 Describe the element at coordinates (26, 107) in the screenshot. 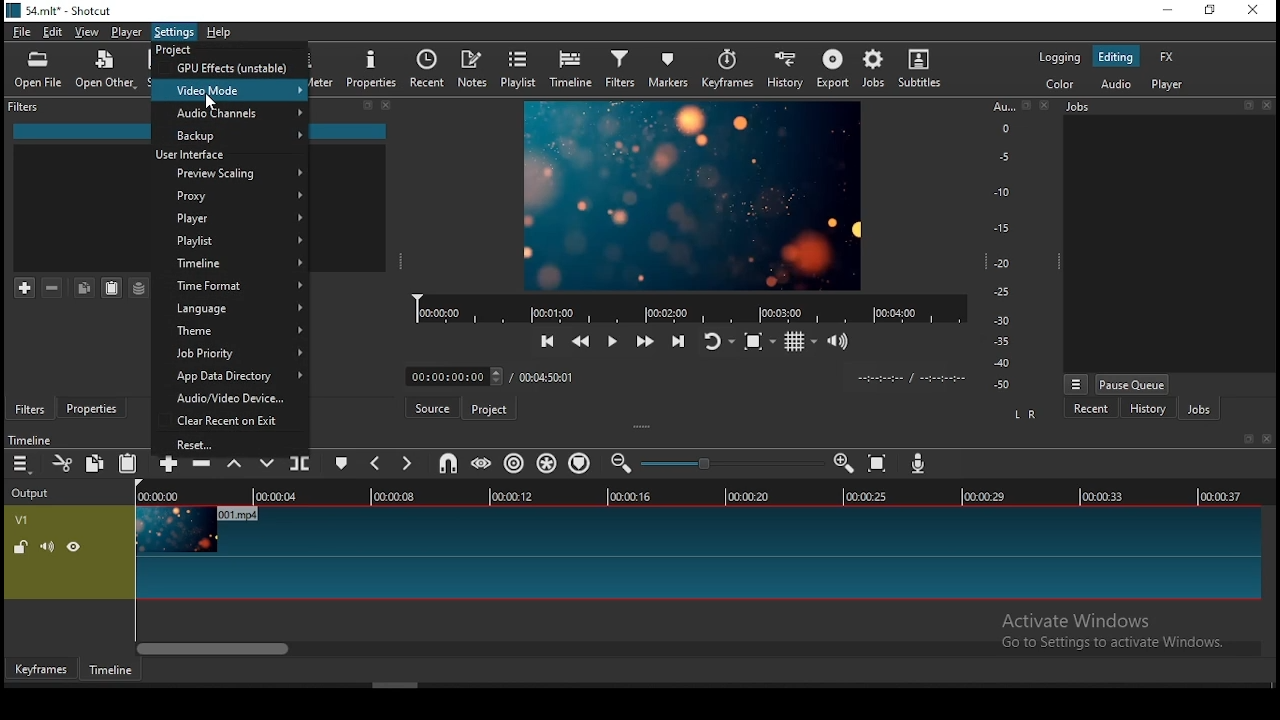

I see `Filter` at that location.